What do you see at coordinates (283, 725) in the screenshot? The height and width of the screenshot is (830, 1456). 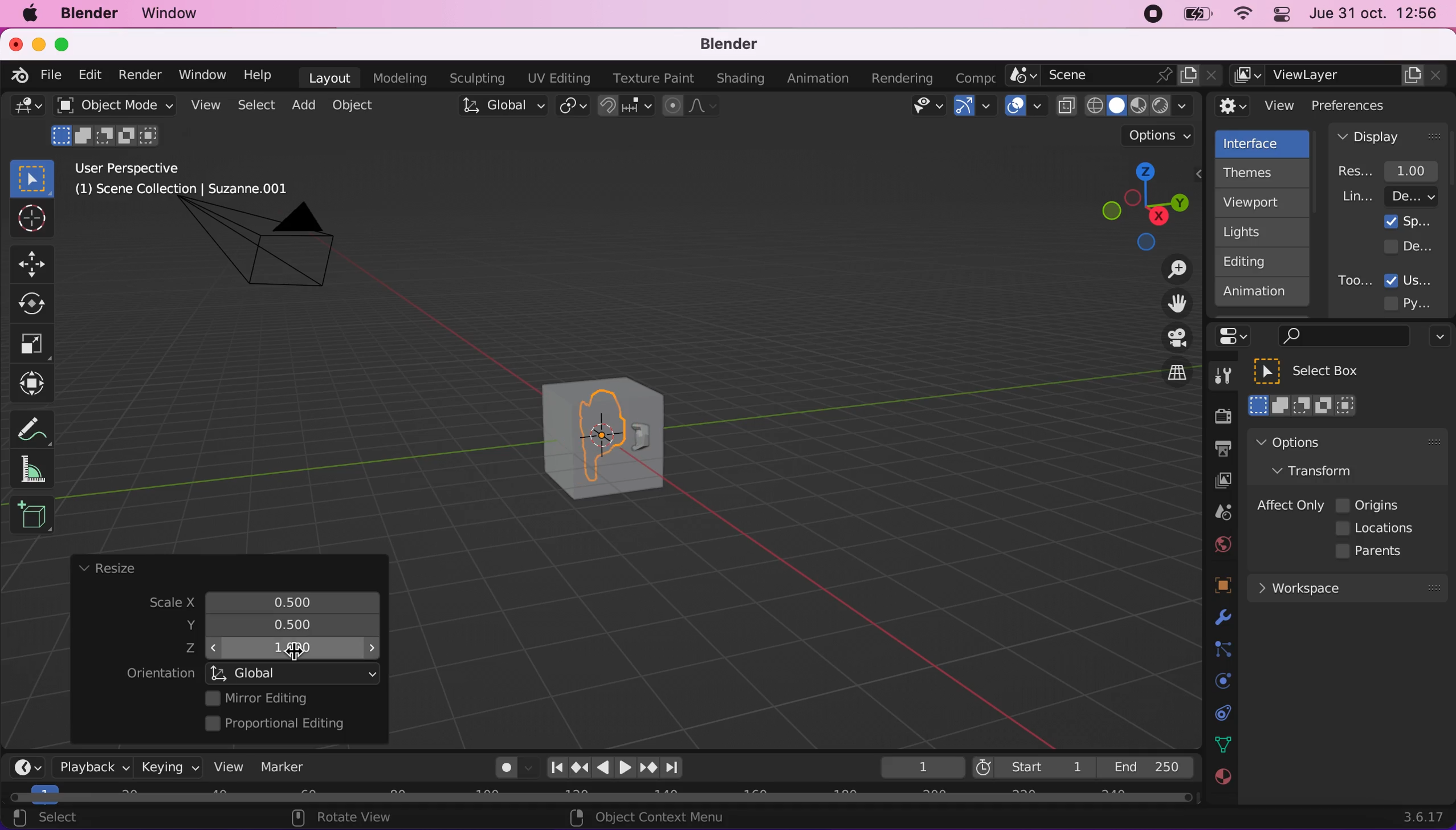 I see `proportional editing` at bounding box center [283, 725].